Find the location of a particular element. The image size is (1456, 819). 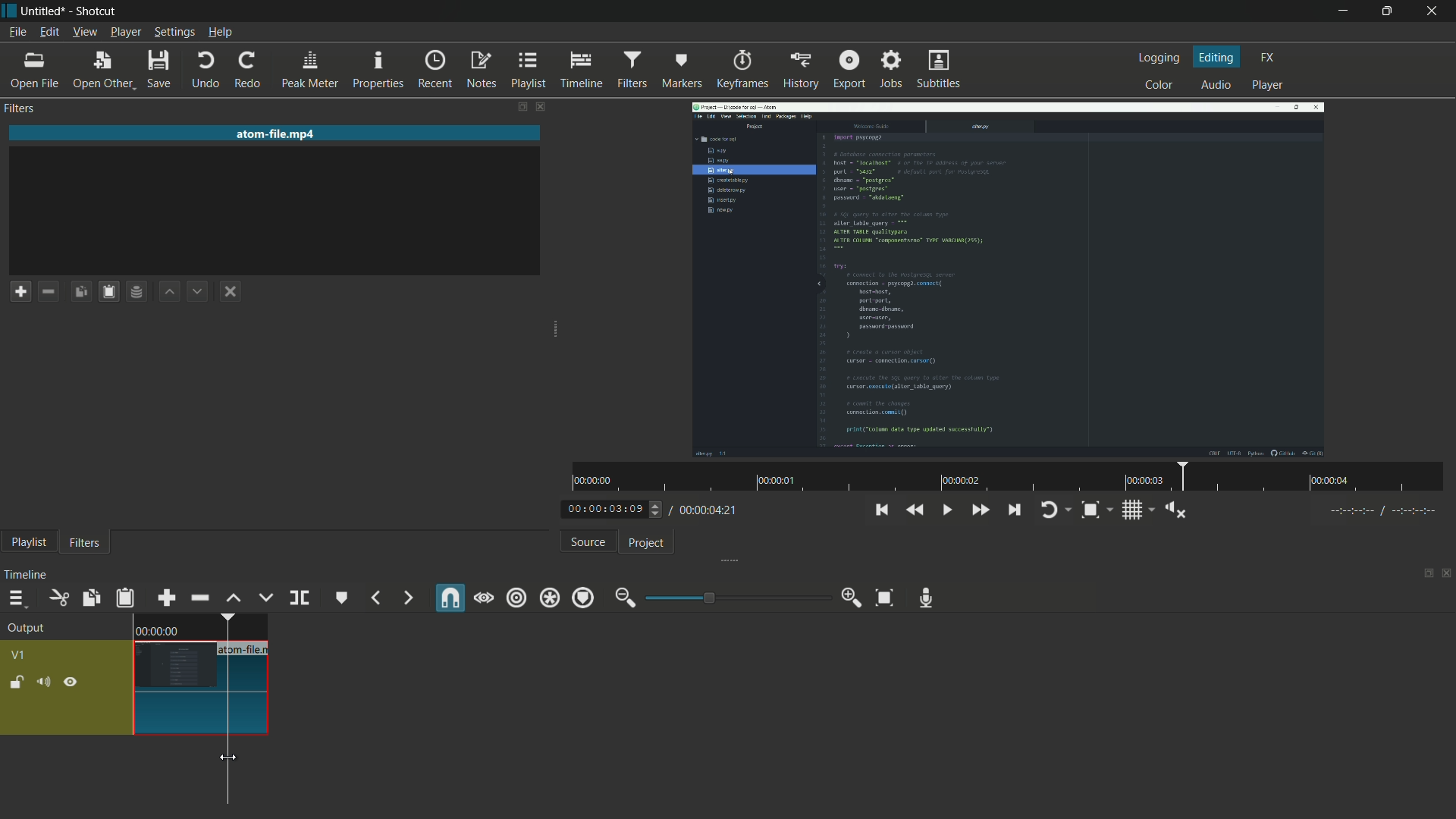

create or edit marker is located at coordinates (340, 598).